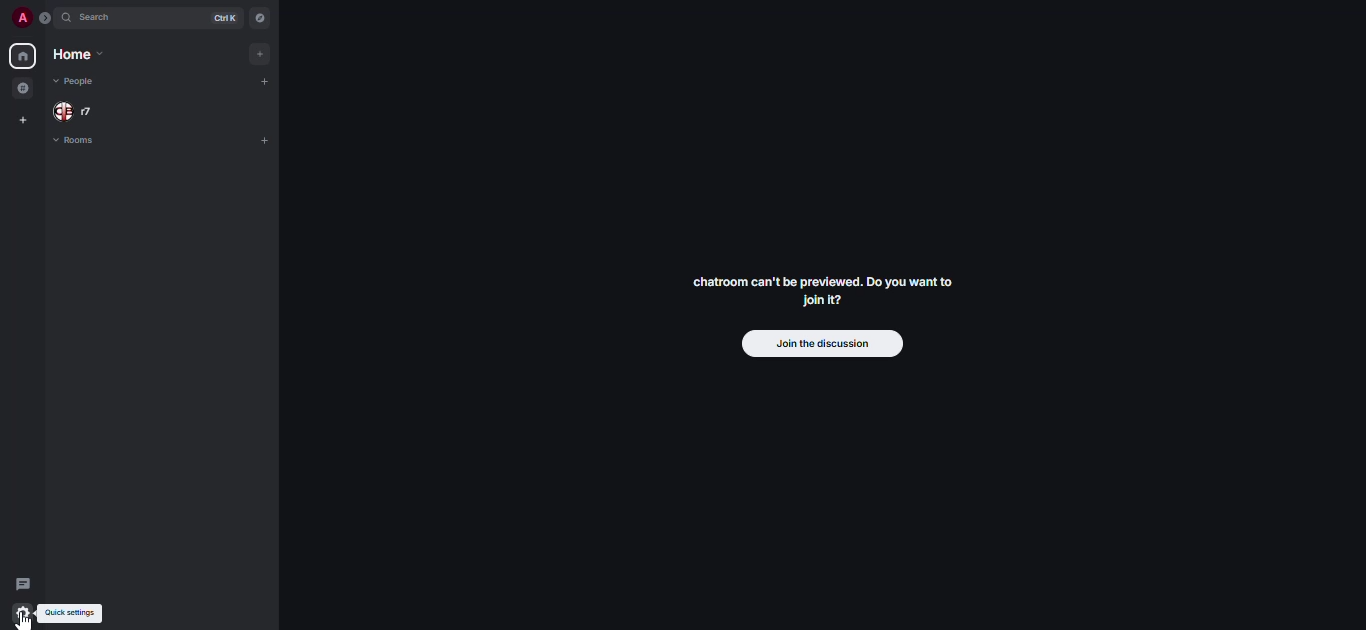 Image resolution: width=1366 pixels, height=630 pixels. I want to click on add, so click(256, 54).